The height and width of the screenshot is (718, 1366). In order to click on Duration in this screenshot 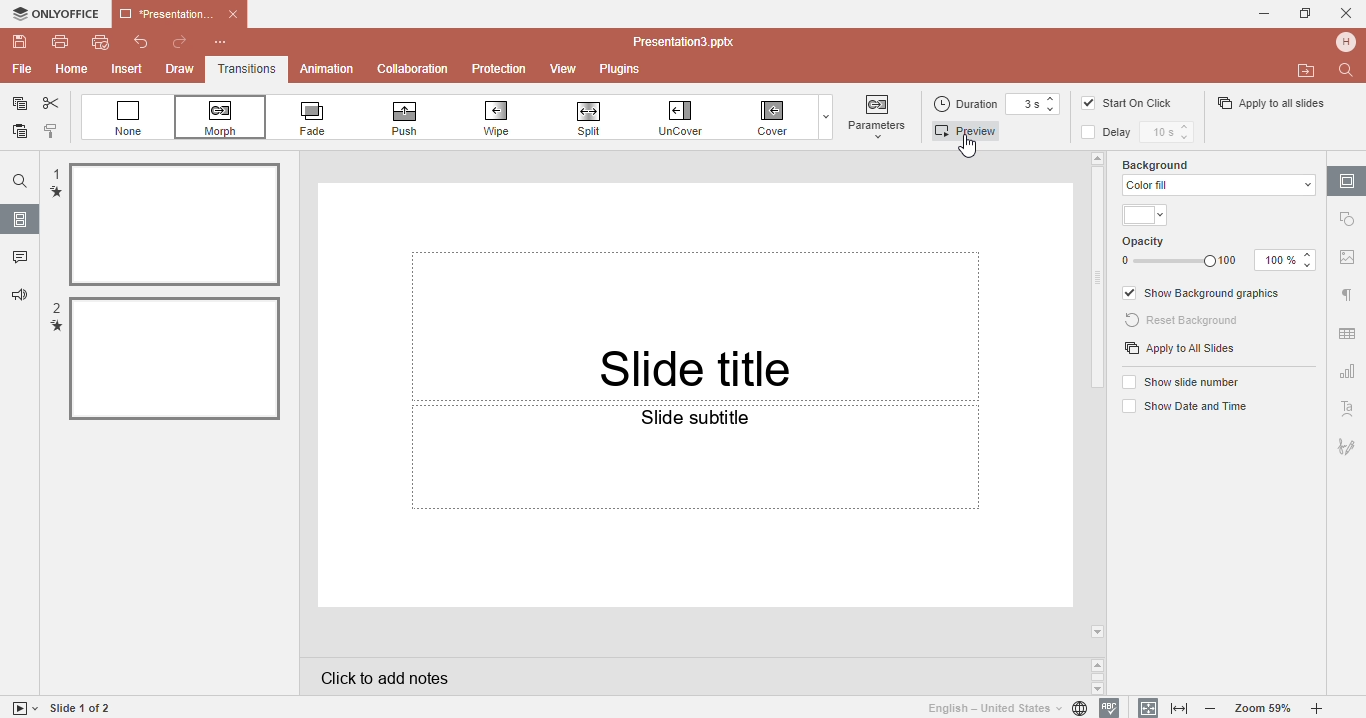, I will do `click(970, 105)`.